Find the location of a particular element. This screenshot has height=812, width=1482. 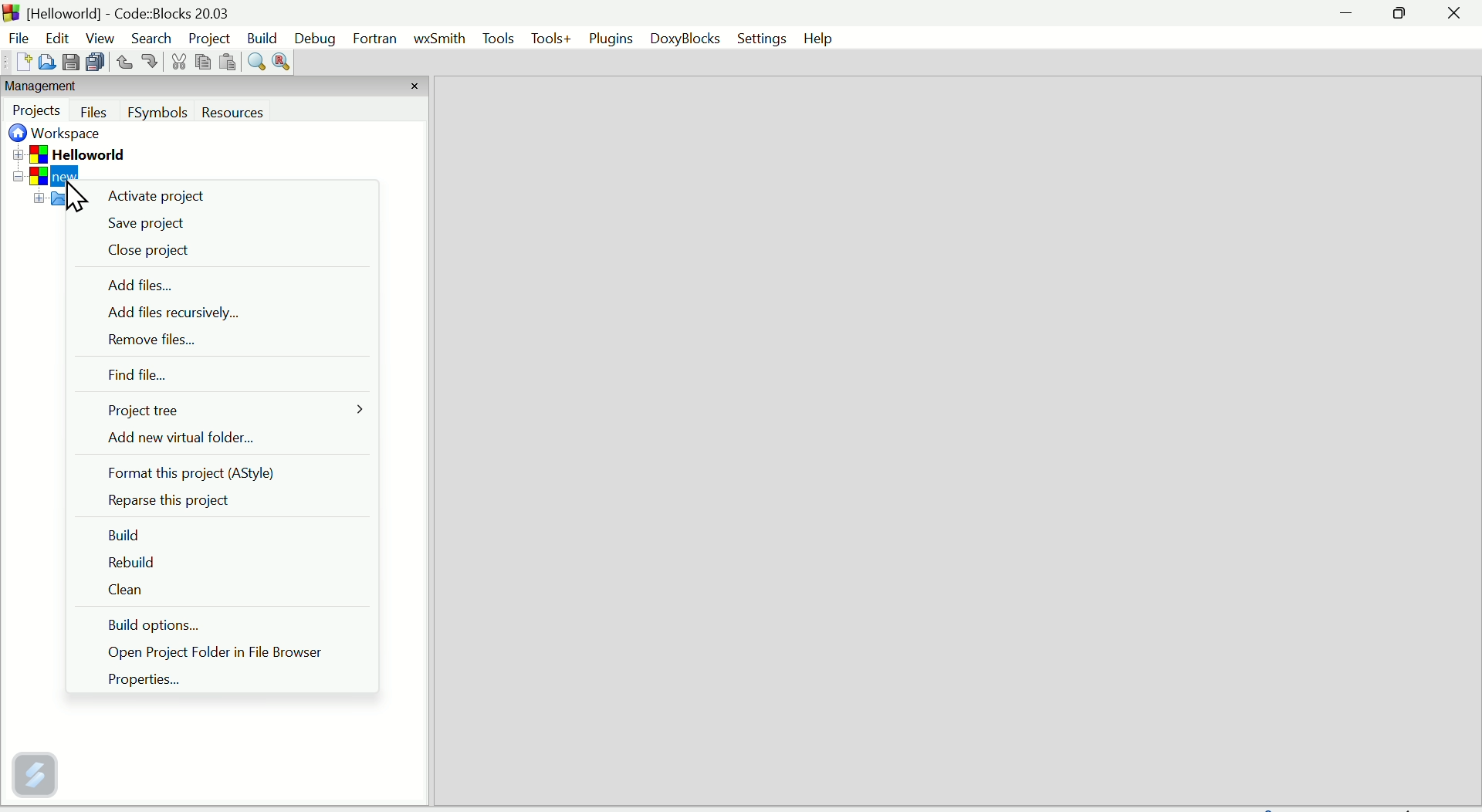

Save is located at coordinates (72, 62).